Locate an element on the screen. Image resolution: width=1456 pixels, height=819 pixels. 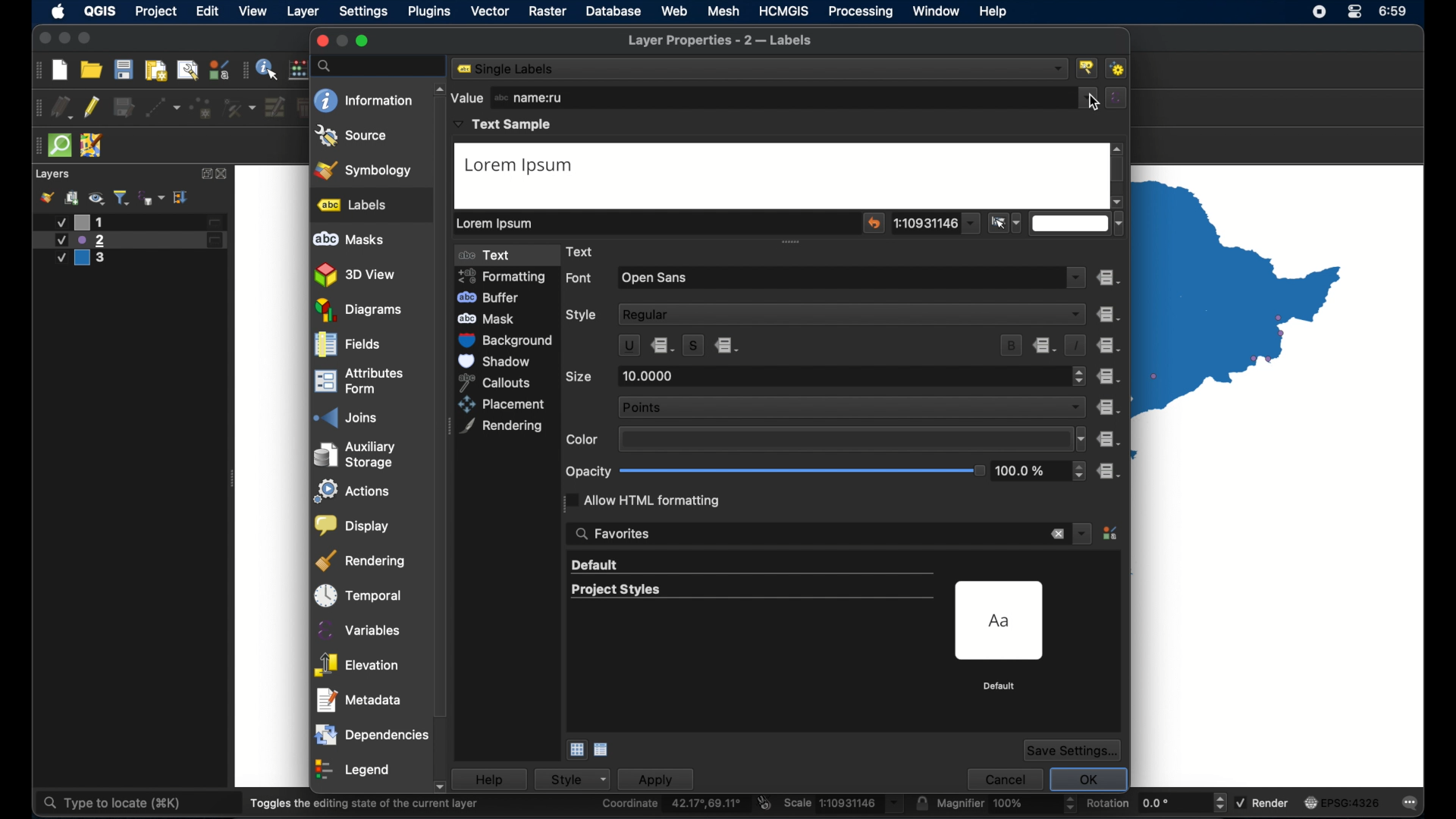
save is located at coordinates (124, 69).